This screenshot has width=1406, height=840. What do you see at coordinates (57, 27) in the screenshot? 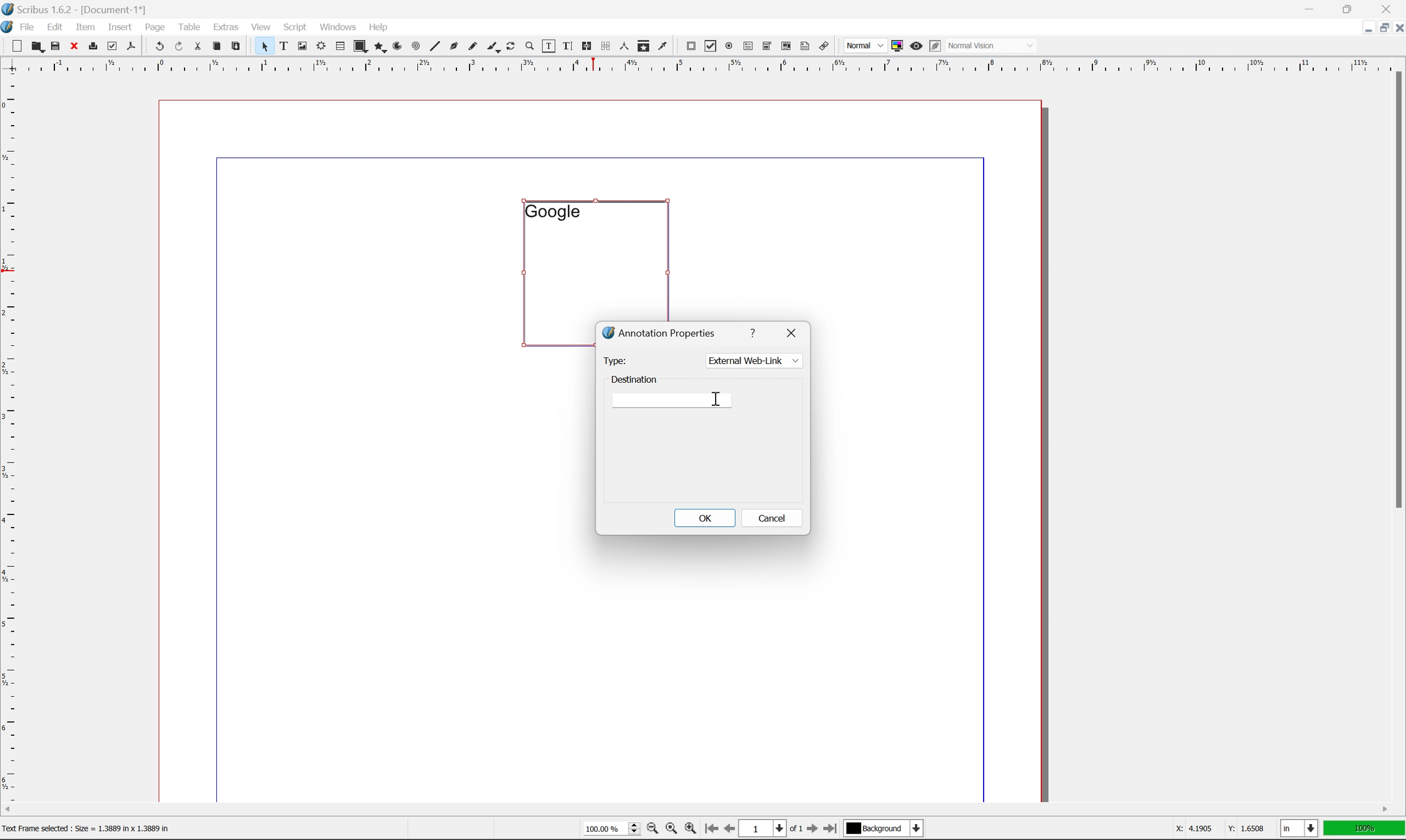
I see `edit` at bounding box center [57, 27].